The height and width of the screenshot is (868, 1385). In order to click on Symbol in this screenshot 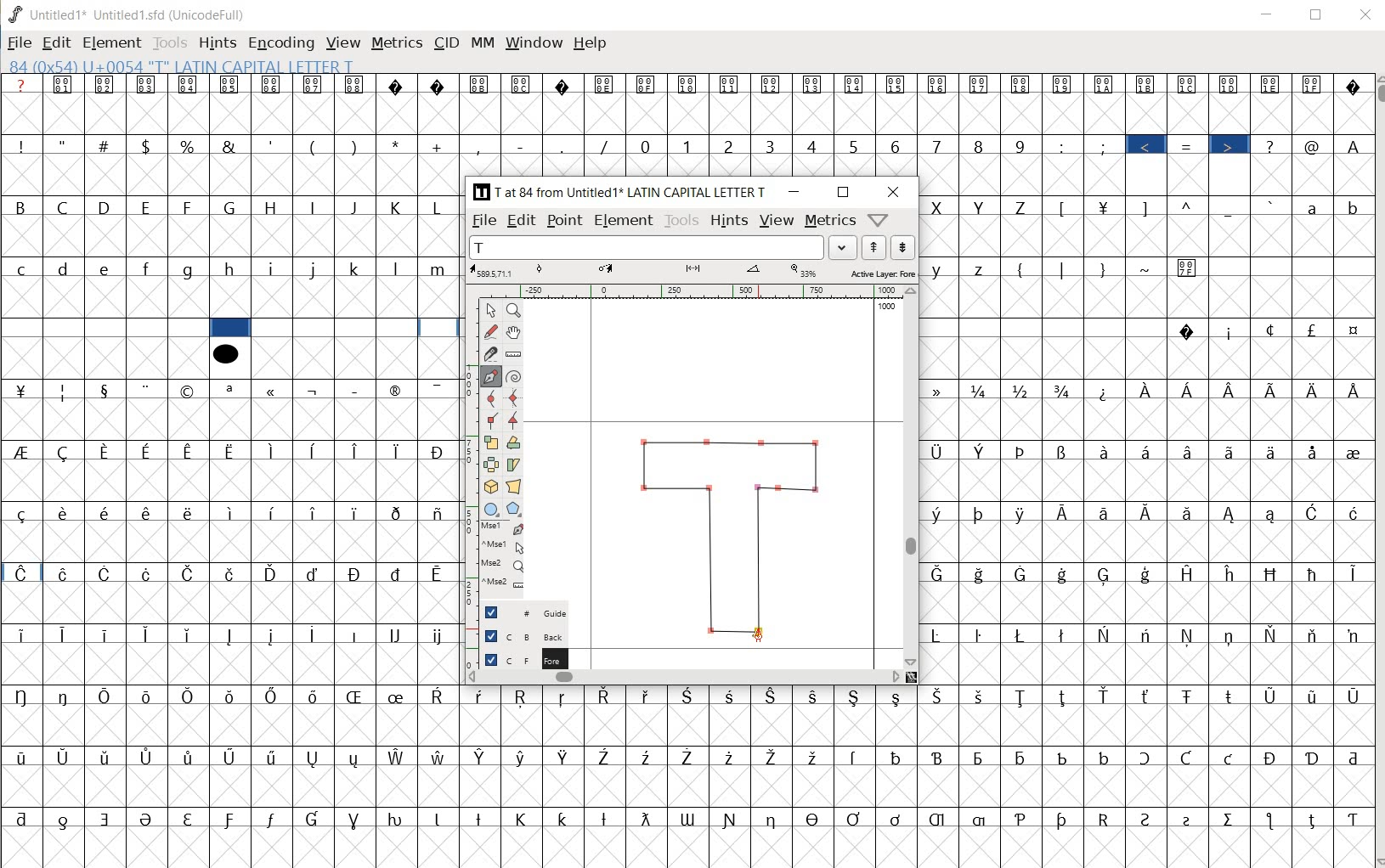, I will do `click(1144, 758)`.